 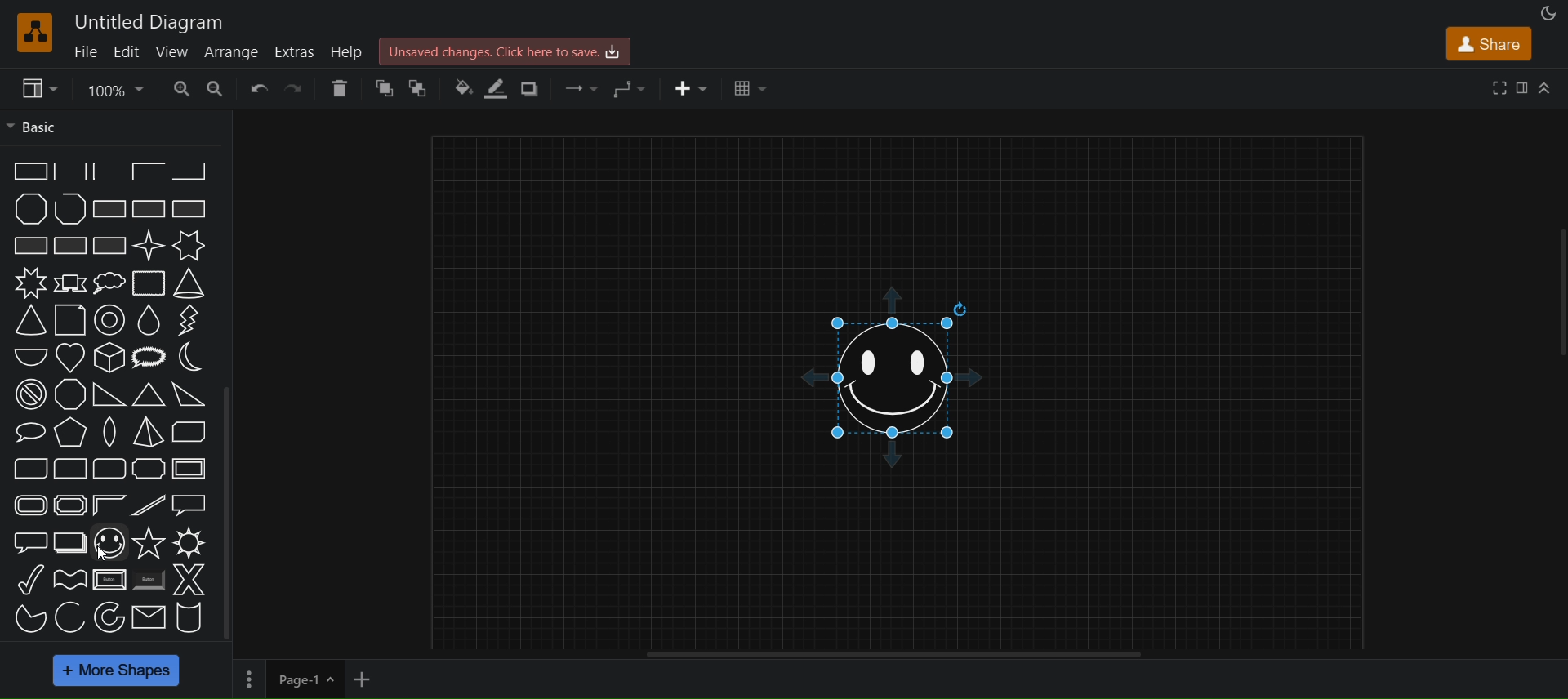 I want to click on button(shaded), so click(x=148, y=581).